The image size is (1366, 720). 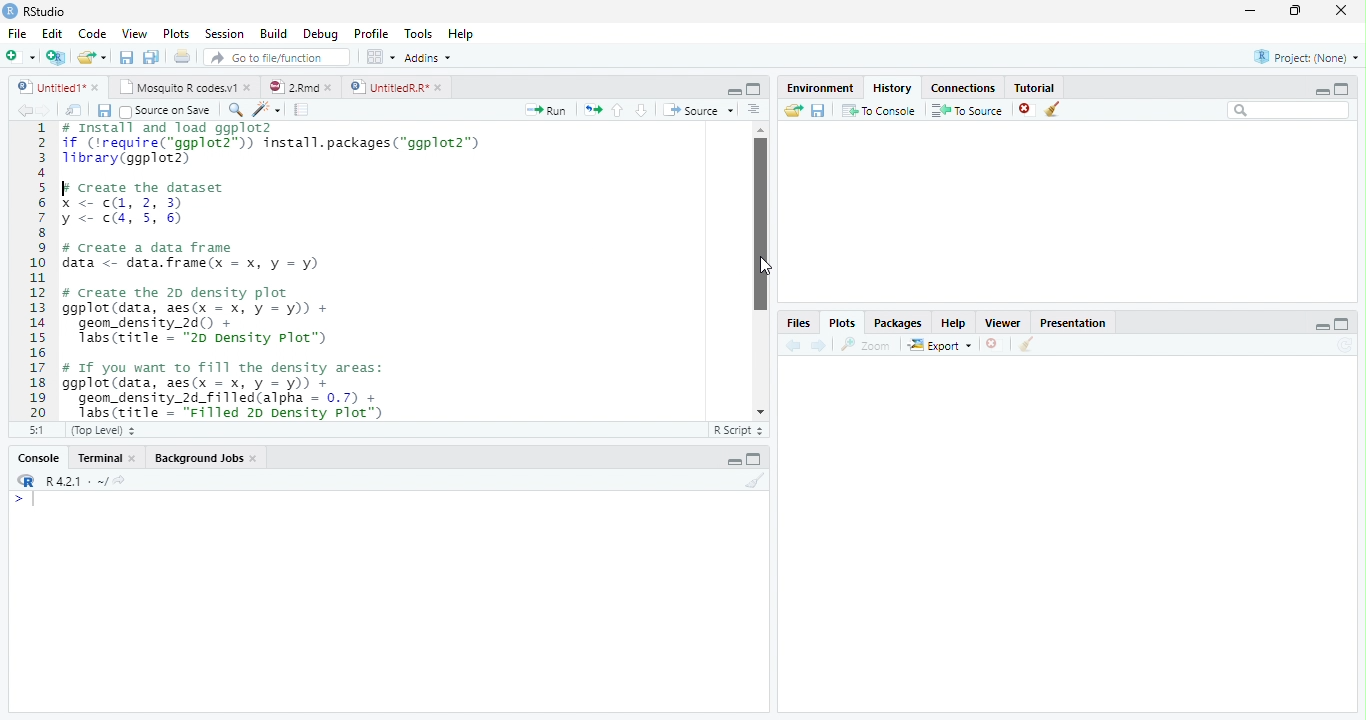 What do you see at coordinates (760, 412) in the screenshot?
I see `Scrollbar down` at bounding box center [760, 412].